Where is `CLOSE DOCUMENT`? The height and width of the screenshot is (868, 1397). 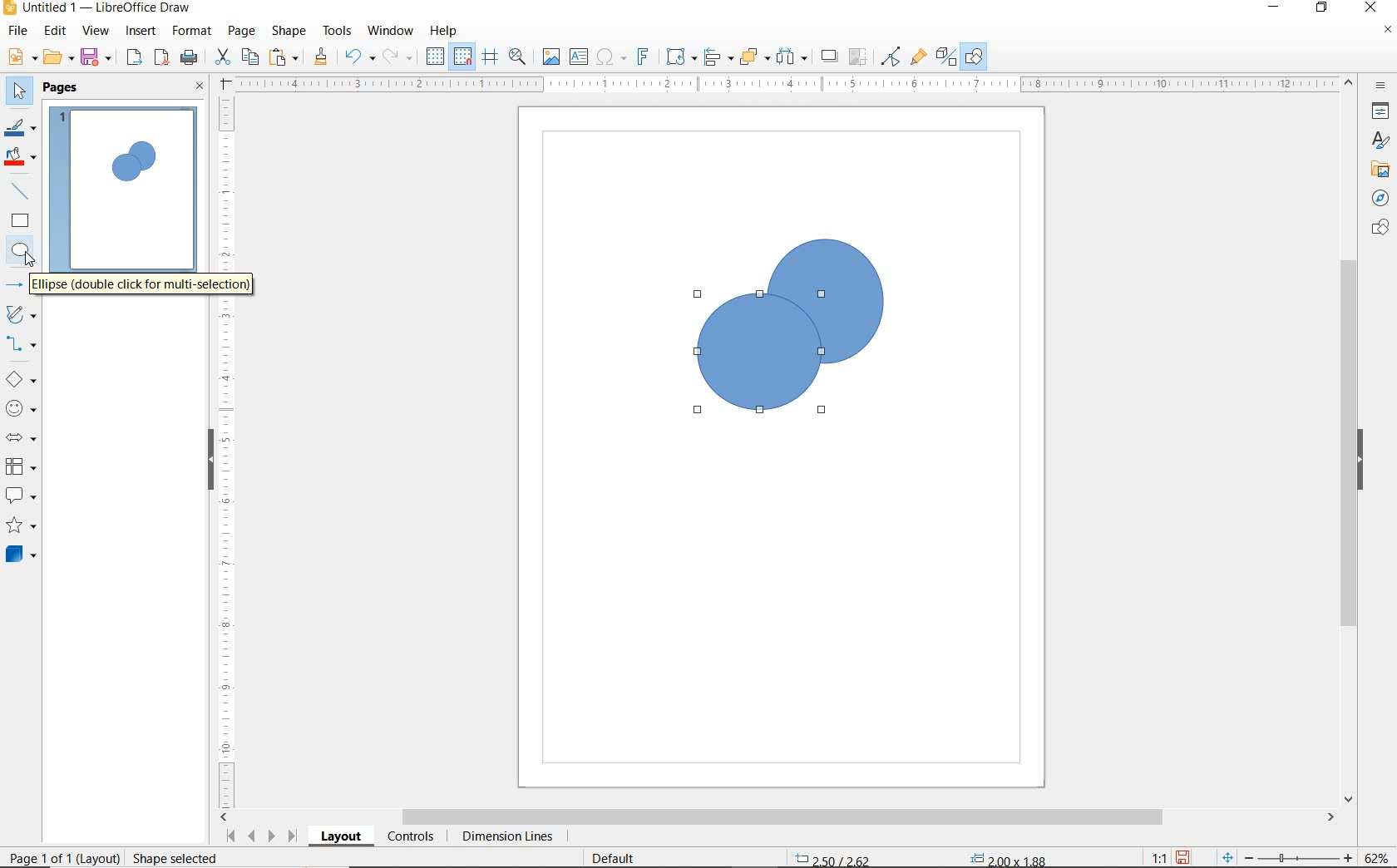 CLOSE DOCUMENT is located at coordinates (1387, 32).